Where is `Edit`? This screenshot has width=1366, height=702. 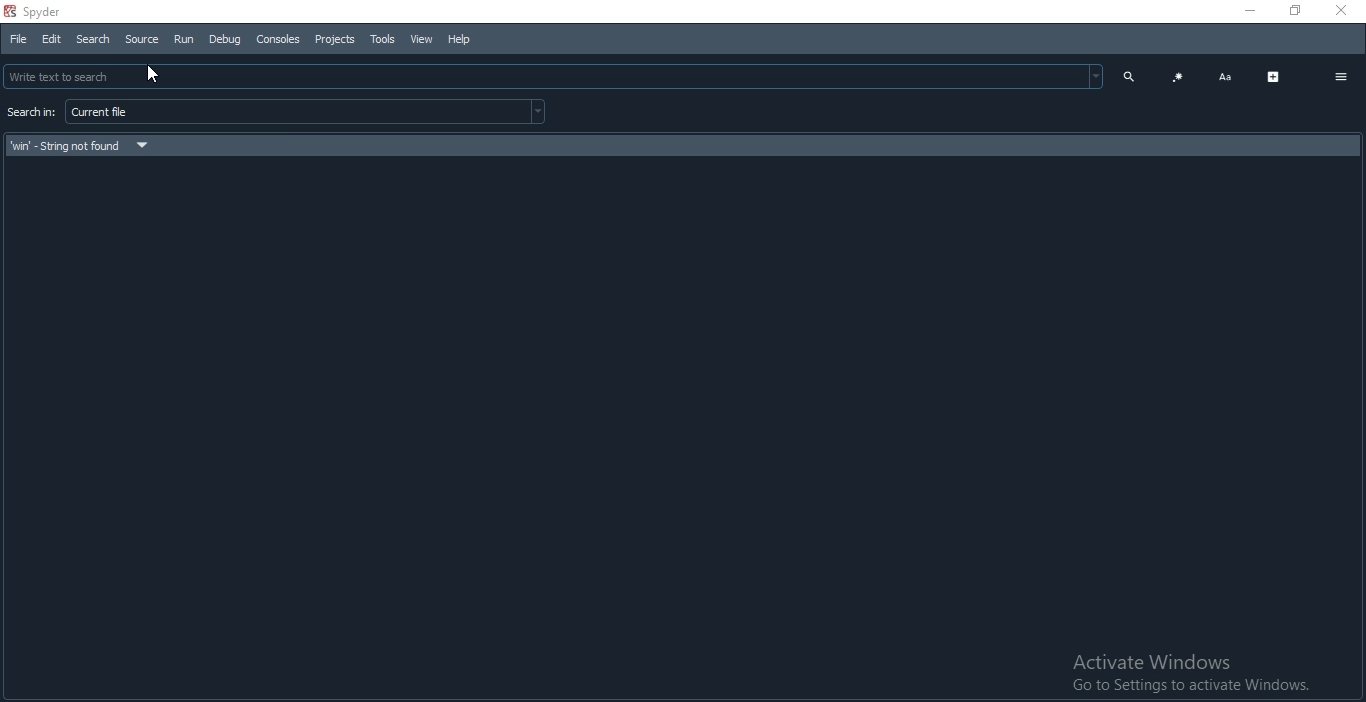
Edit is located at coordinates (50, 40).